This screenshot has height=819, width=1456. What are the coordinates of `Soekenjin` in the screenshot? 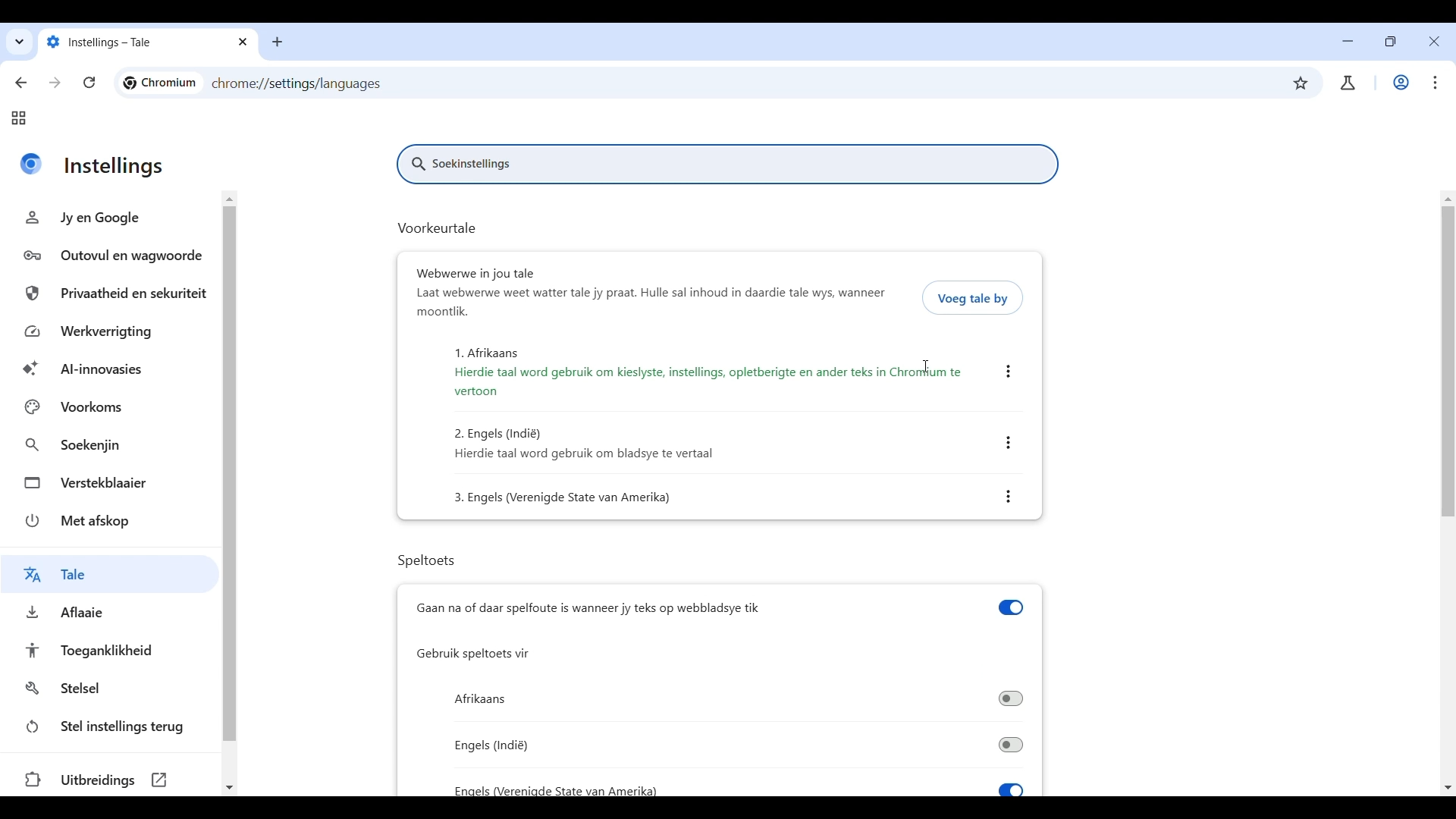 It's located at (83, 445).